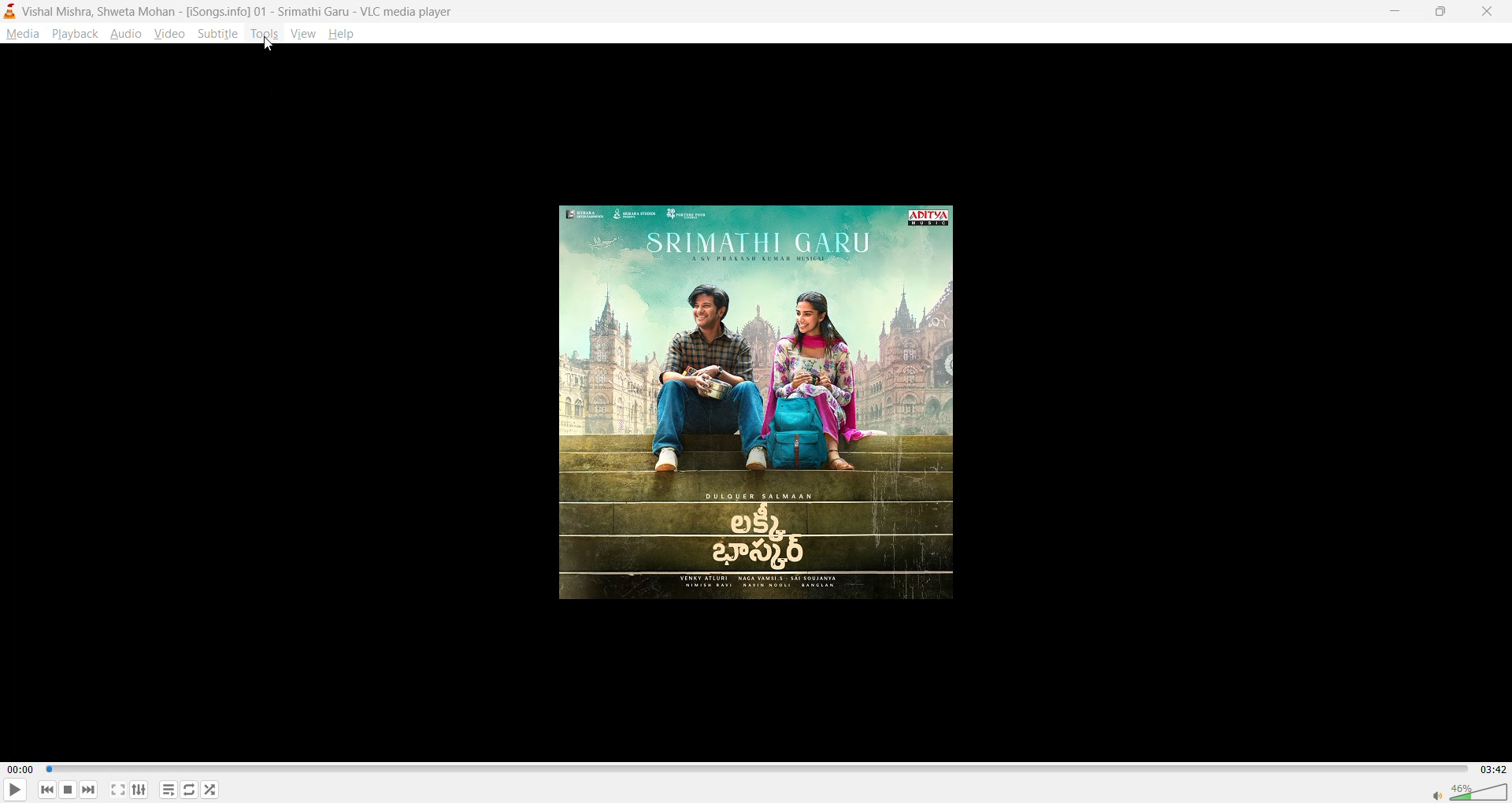 Image resolution: width=1512 pixels, height=803 pixels. Describe the element at coordinates (754, 770) in the screenshot. I see `track slider` at that location.